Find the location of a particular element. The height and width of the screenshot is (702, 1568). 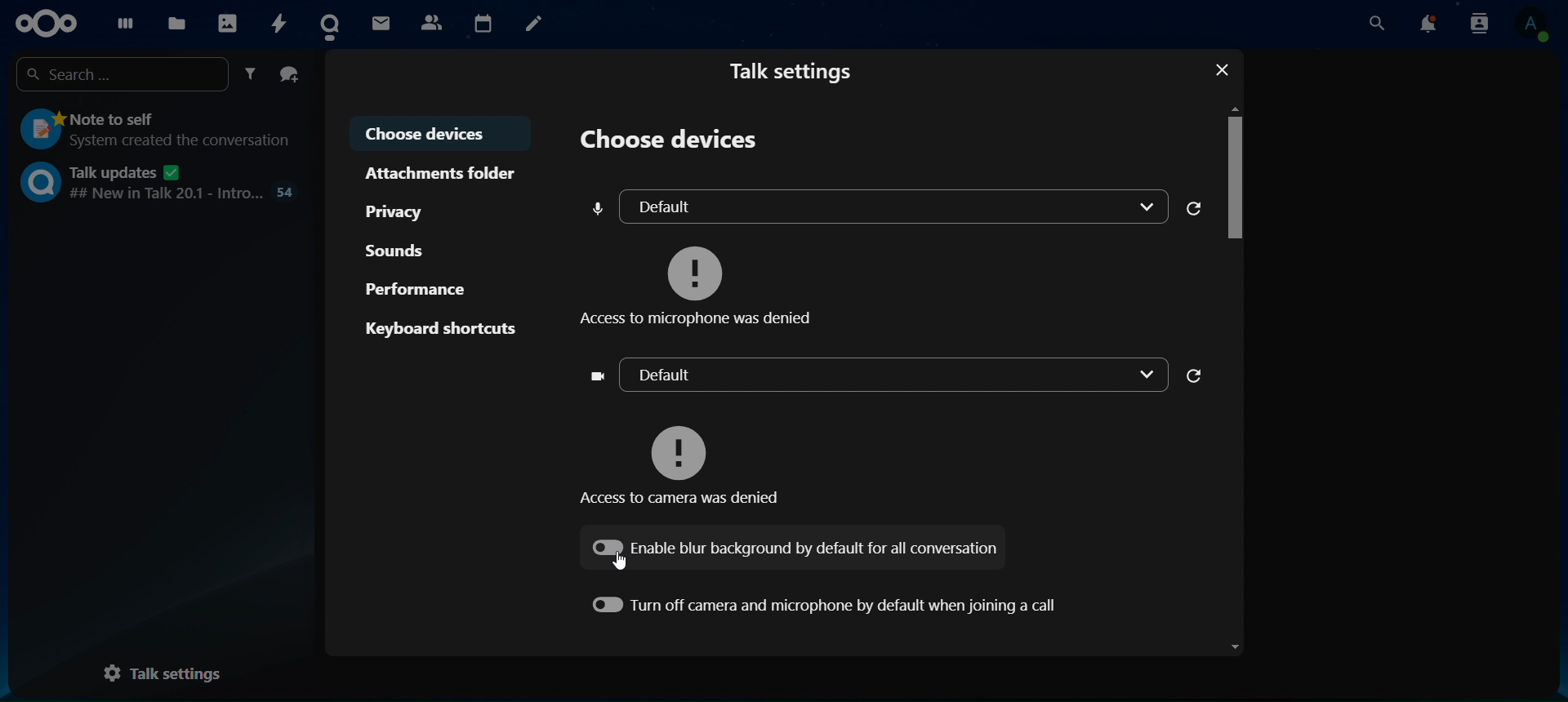

turn off camera and microphone by default when joining a call is located at coordinates (823, 602).